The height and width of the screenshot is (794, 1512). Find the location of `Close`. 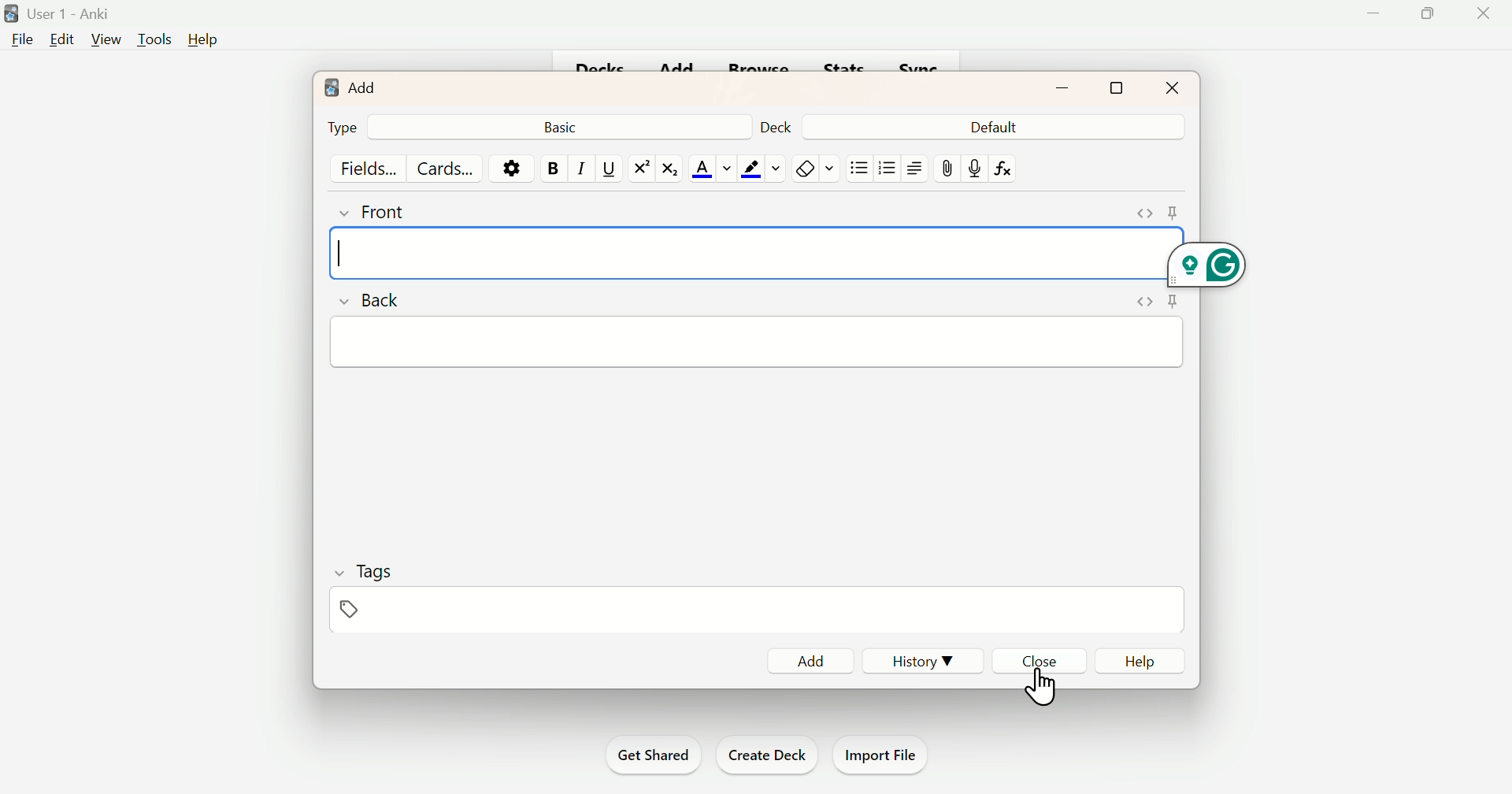

Close is located at coordinates (1484, 13).